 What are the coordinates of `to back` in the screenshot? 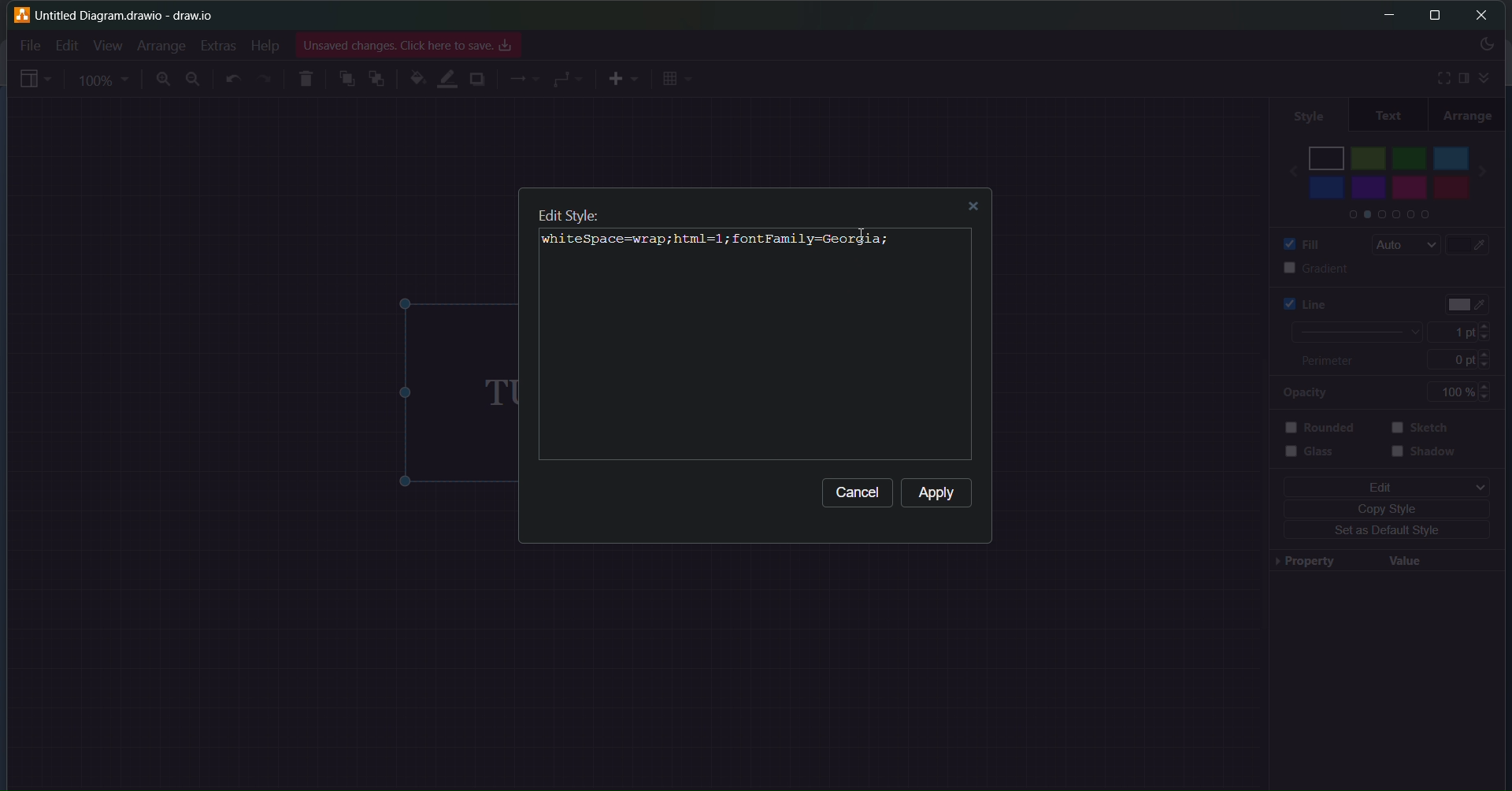 It's located at (377, 80).